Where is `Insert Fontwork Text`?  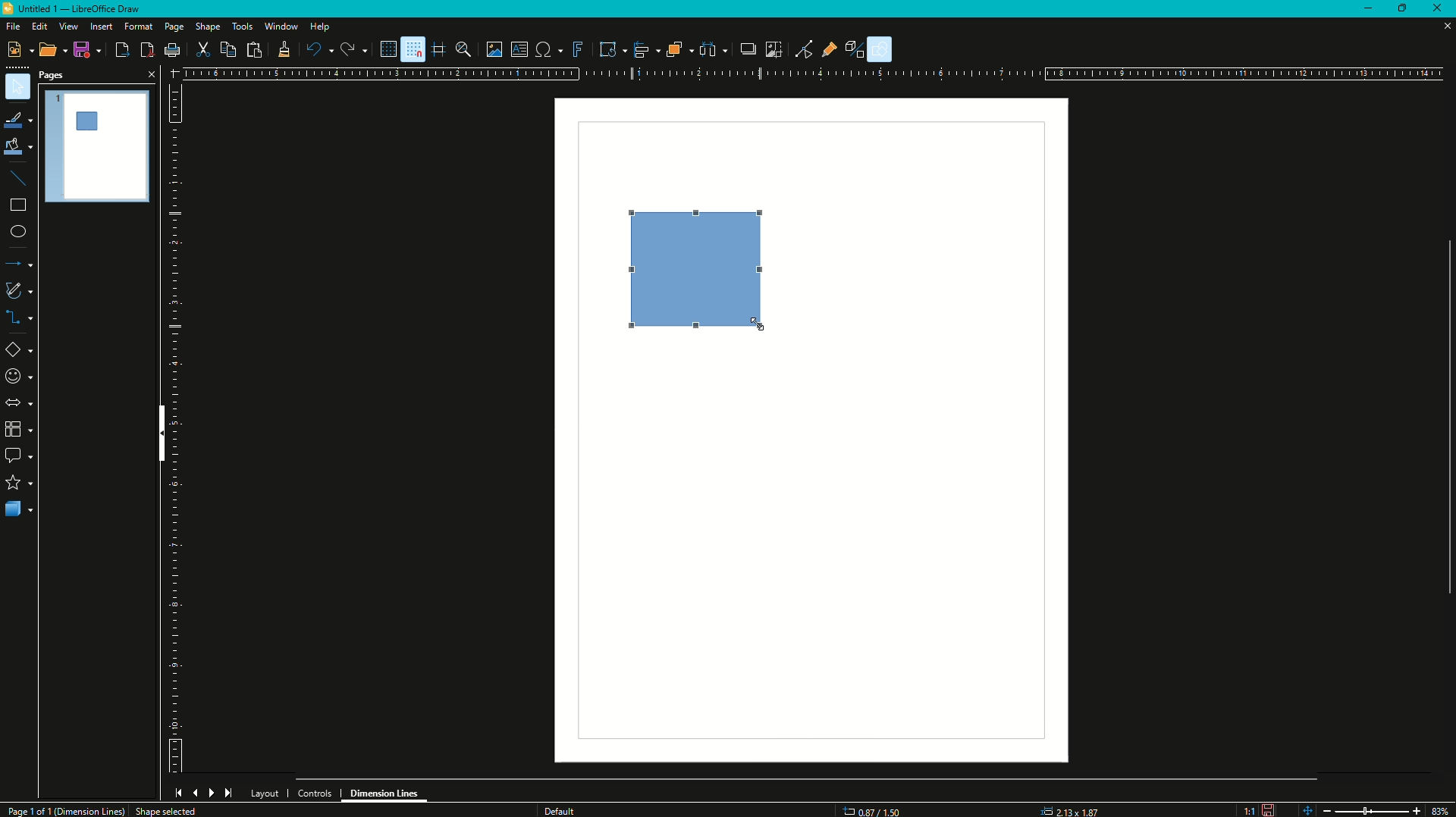 Insert Fontwork Text is located at coordinates (576, 49).